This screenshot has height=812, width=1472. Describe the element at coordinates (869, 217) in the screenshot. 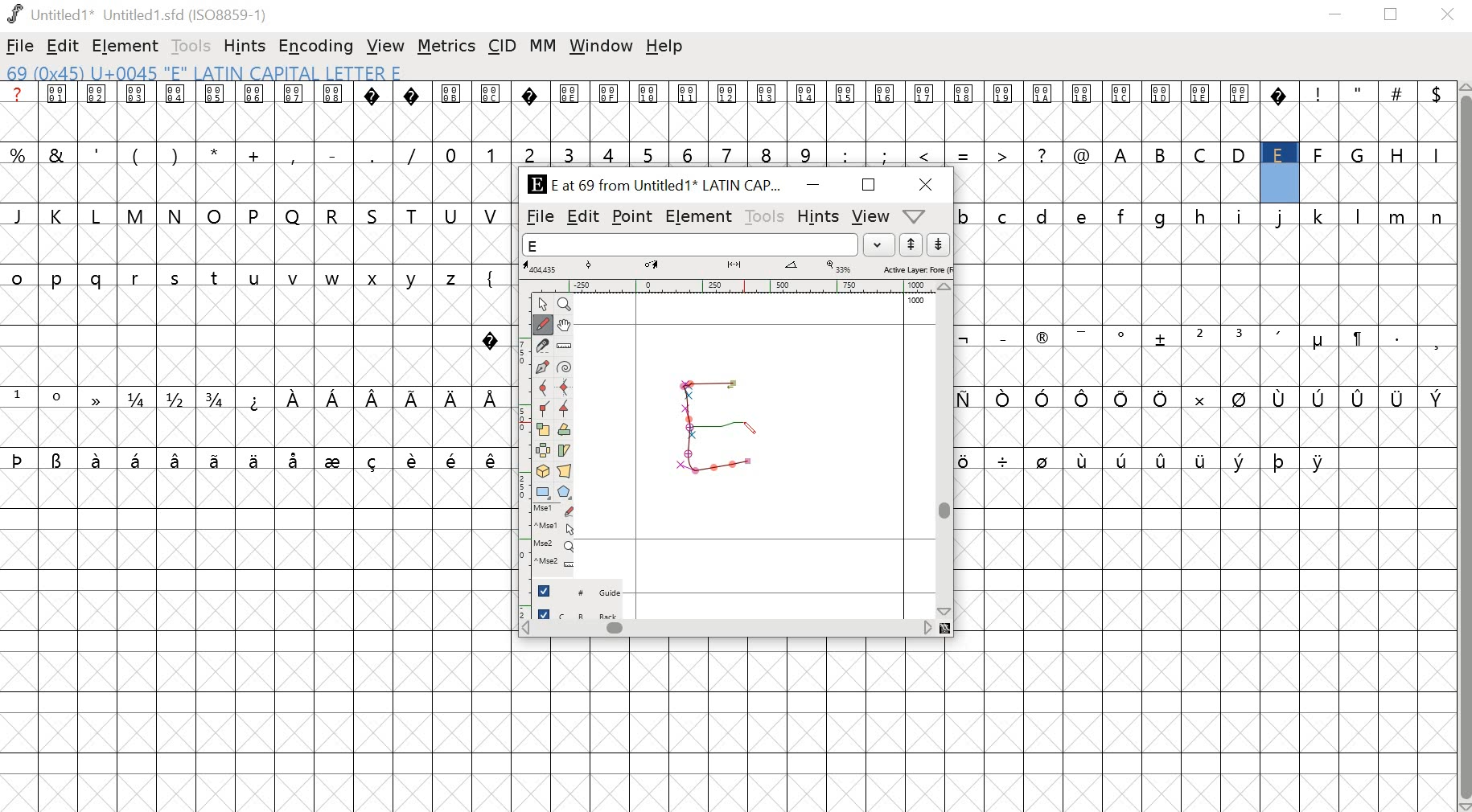

I see `view` at that location.